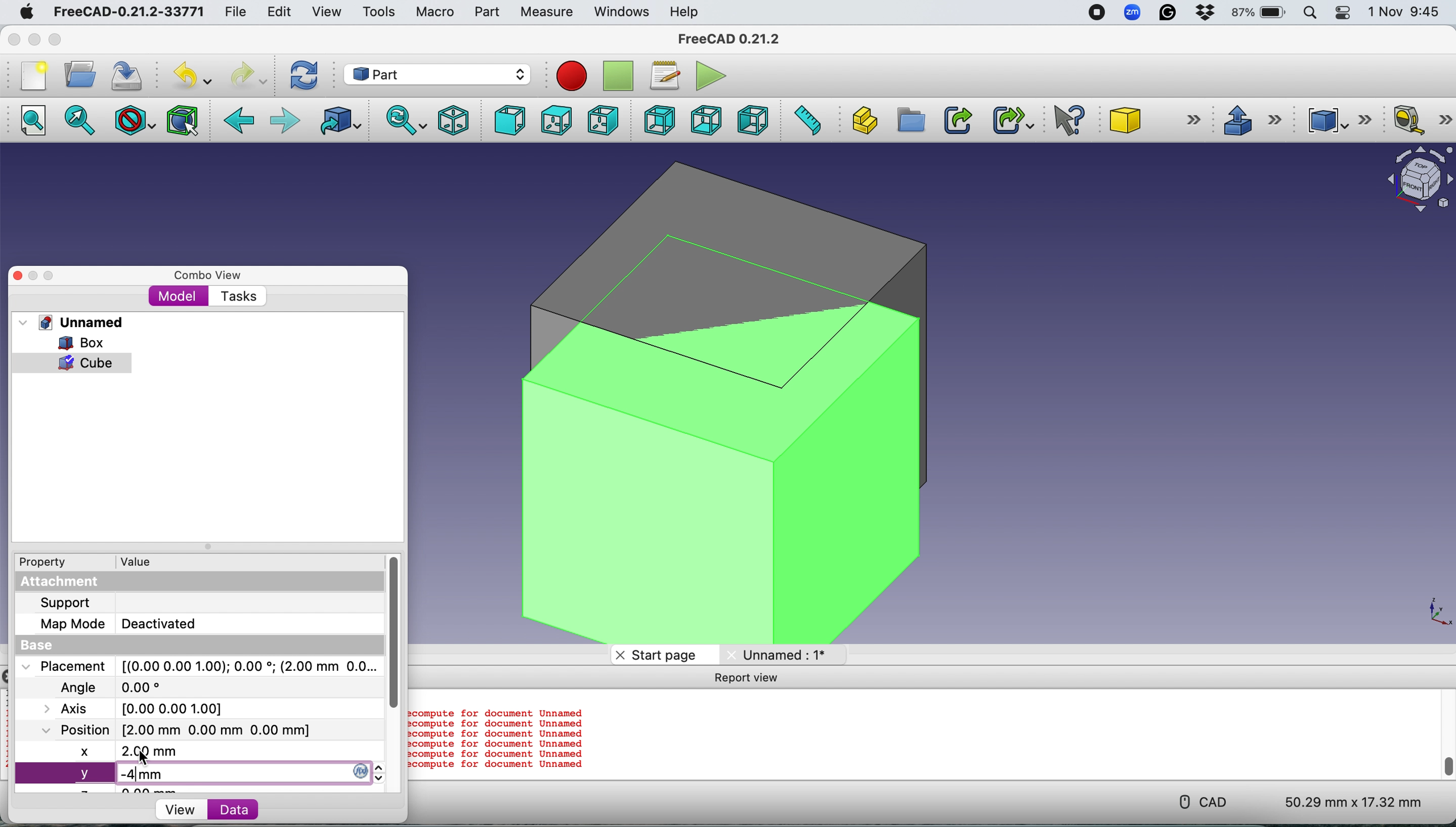 This screenshot has height=827, width=1456. What do you see at coordinates (1336, 120) in the screenshot?
I see `Compound tools` at bounding box center [1336, 120].